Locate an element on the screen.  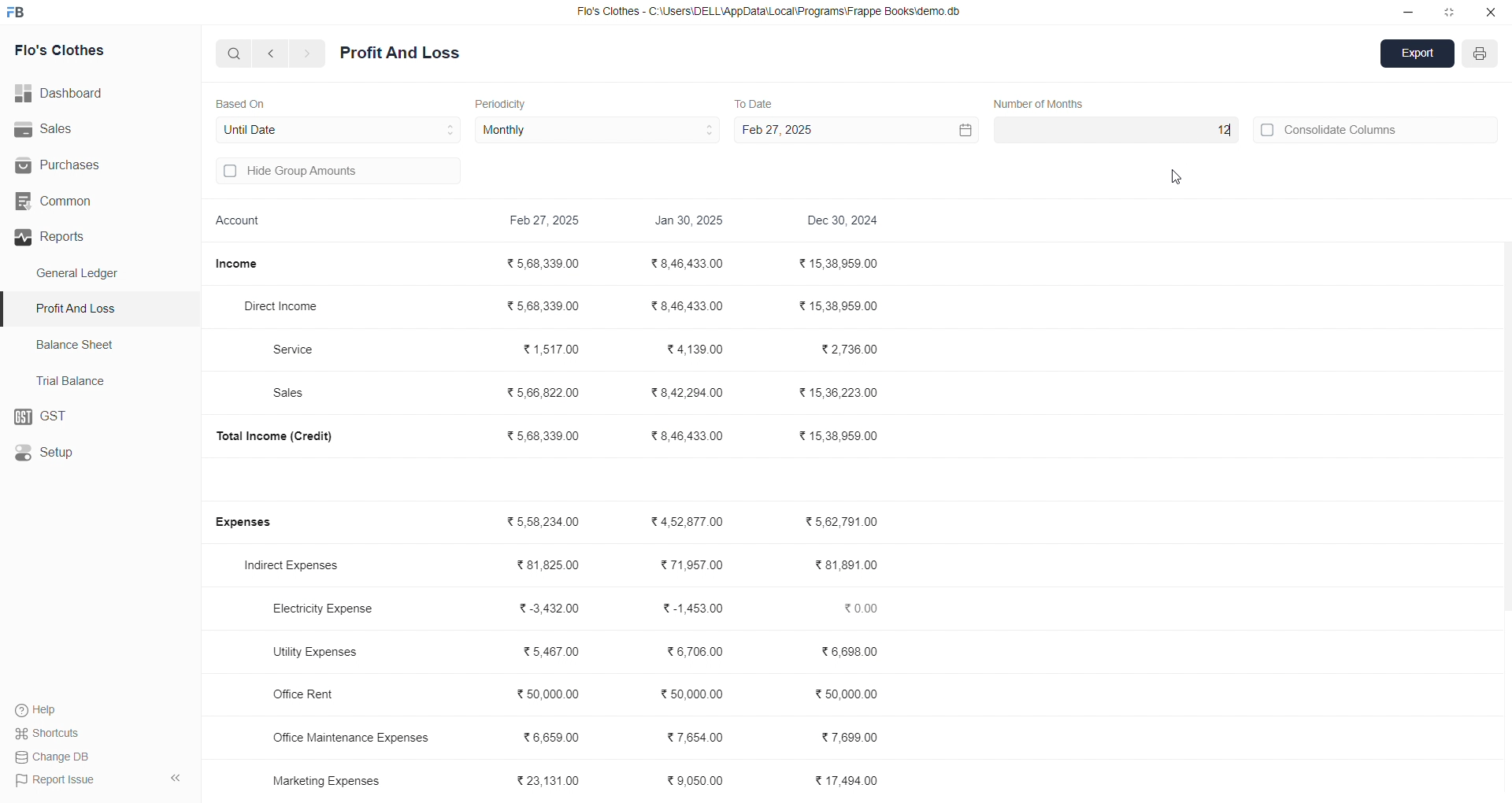
Report Issue is located at coordinates (56, 779).